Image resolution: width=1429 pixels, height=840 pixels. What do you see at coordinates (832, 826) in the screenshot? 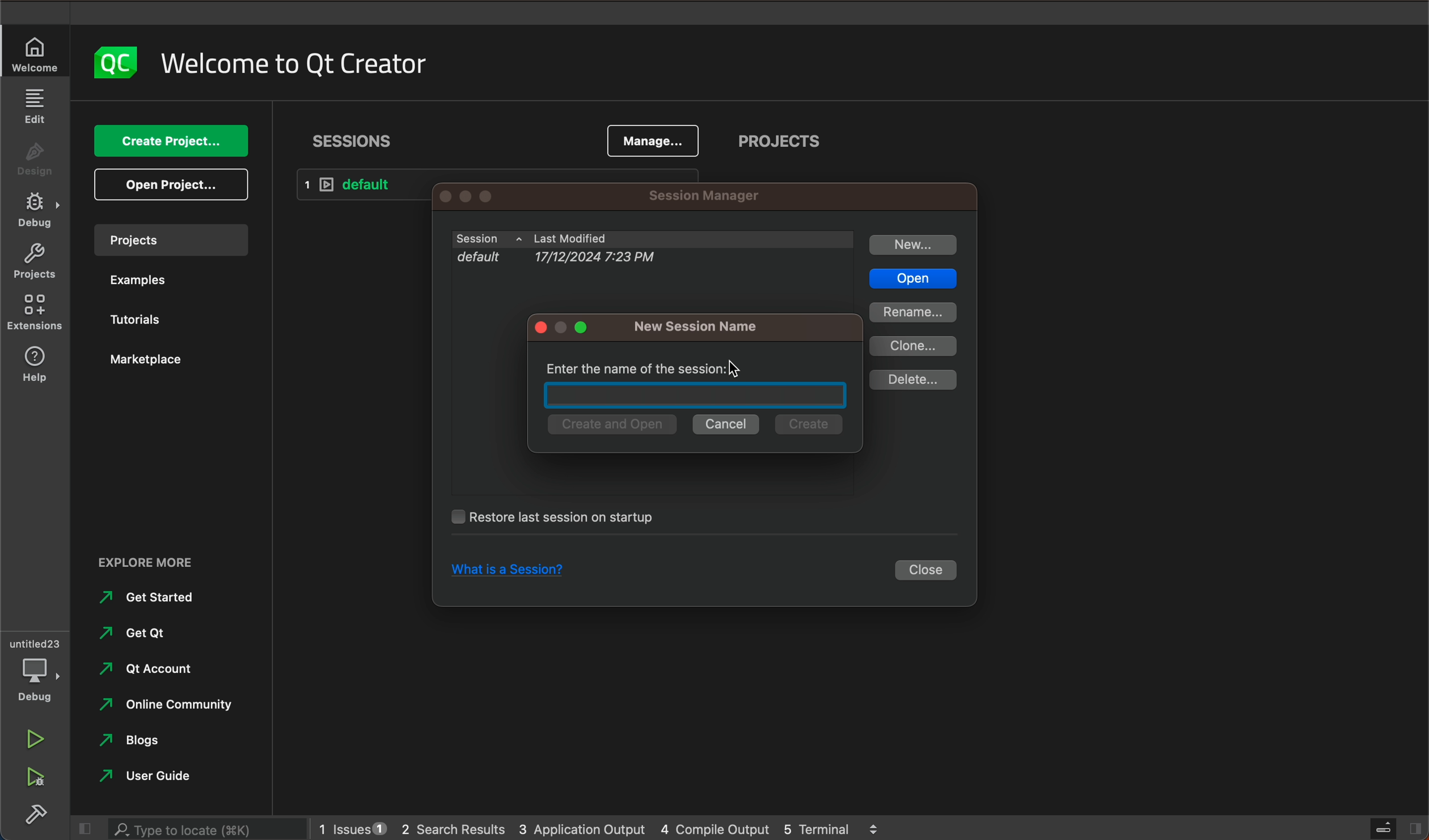
I see `terminal` at bounding box center [832, 826].